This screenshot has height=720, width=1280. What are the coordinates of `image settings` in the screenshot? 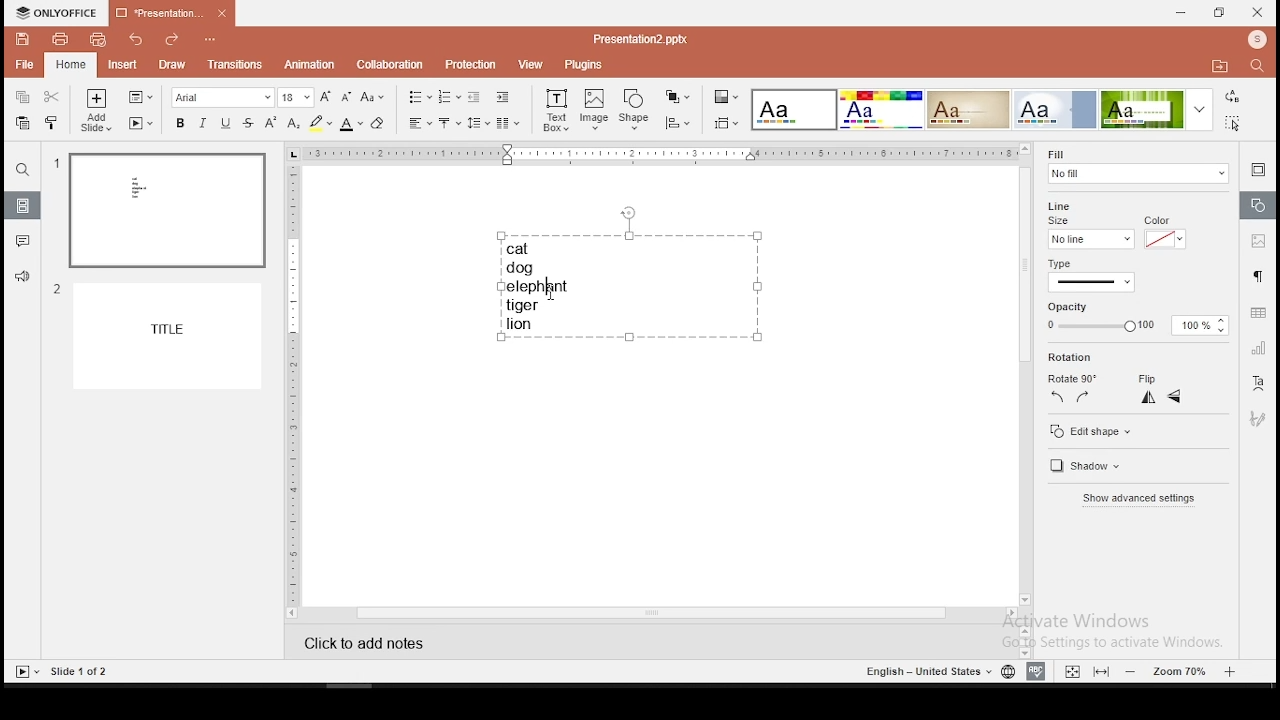 It's located at (1258, 240).